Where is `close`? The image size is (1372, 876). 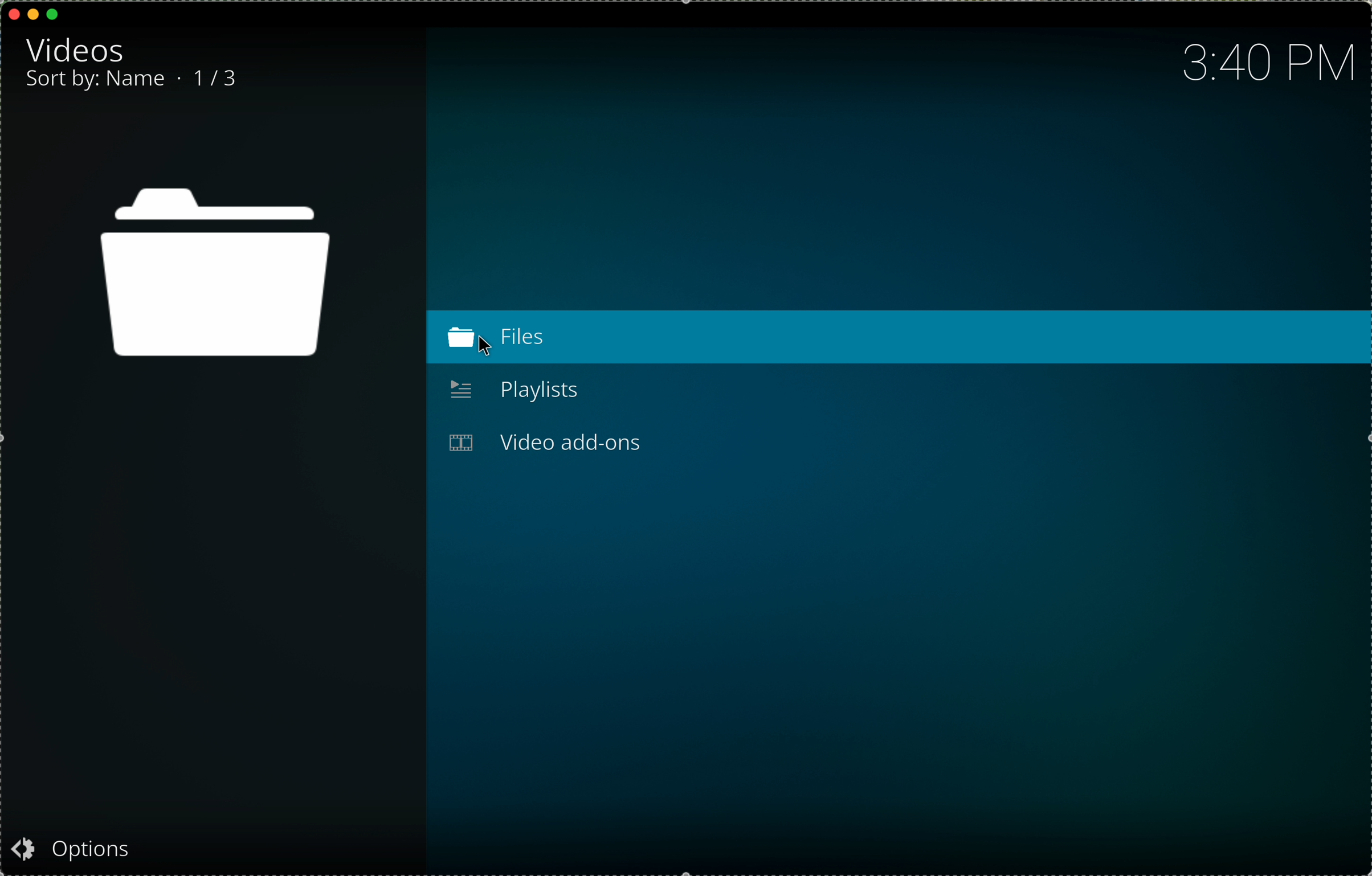
close is located at coordinates (15, 14).